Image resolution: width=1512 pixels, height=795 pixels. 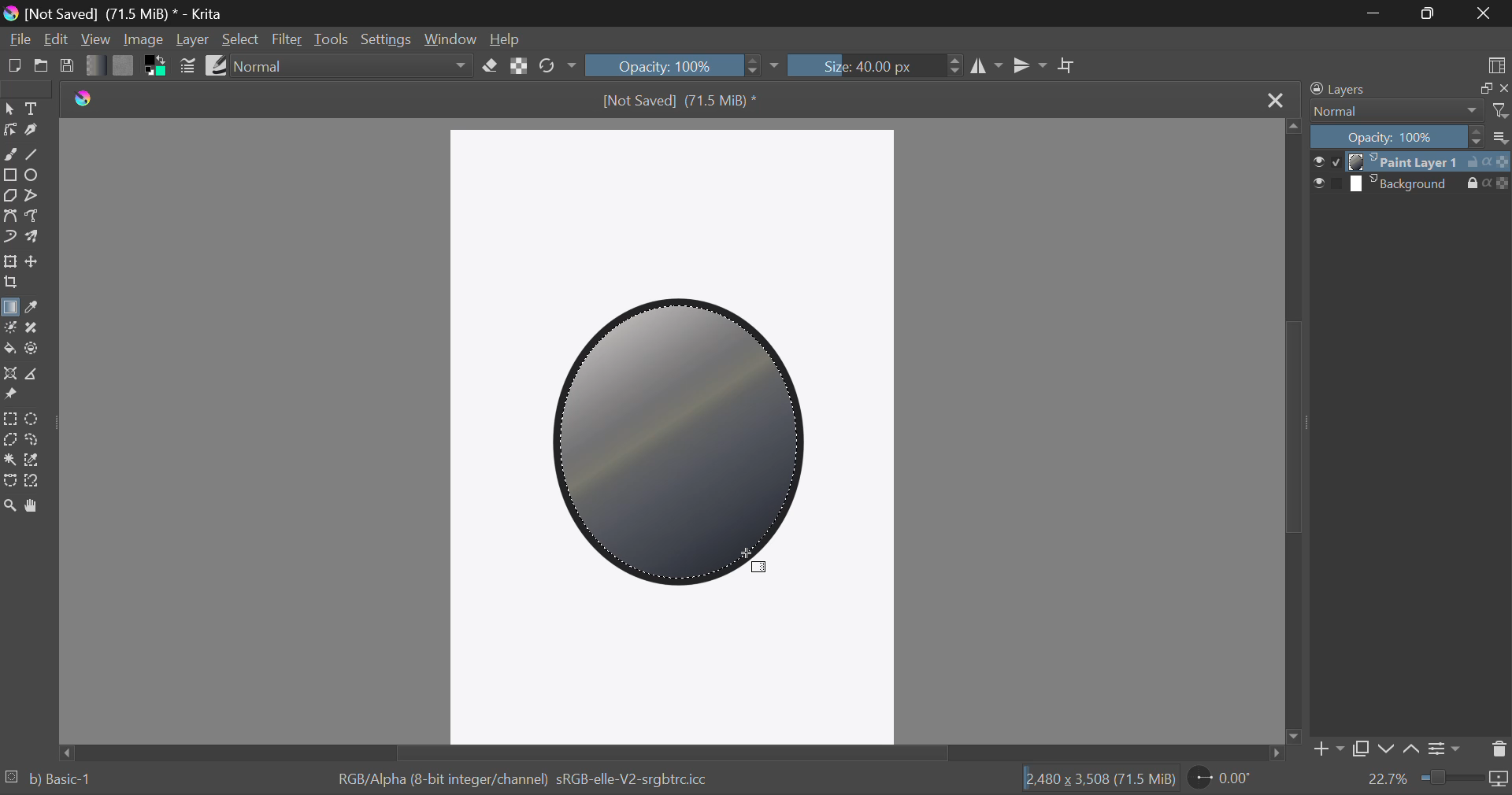 What do you see at coordinates (124, 66) in the screenshot?
I see `Pattern` at bounding box center [124, 66].